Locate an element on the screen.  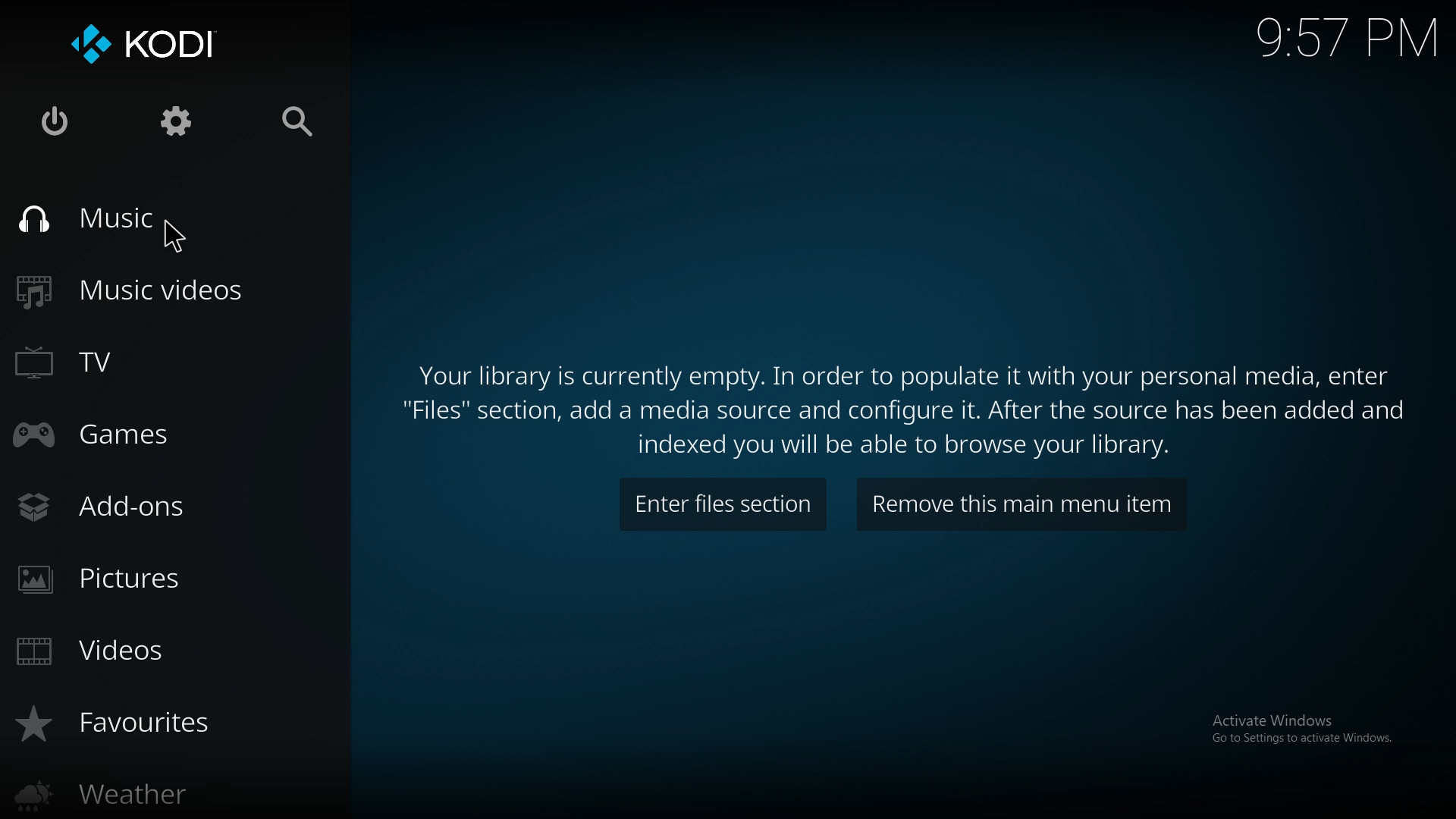
remove item is located at coordinates (1026, 505).